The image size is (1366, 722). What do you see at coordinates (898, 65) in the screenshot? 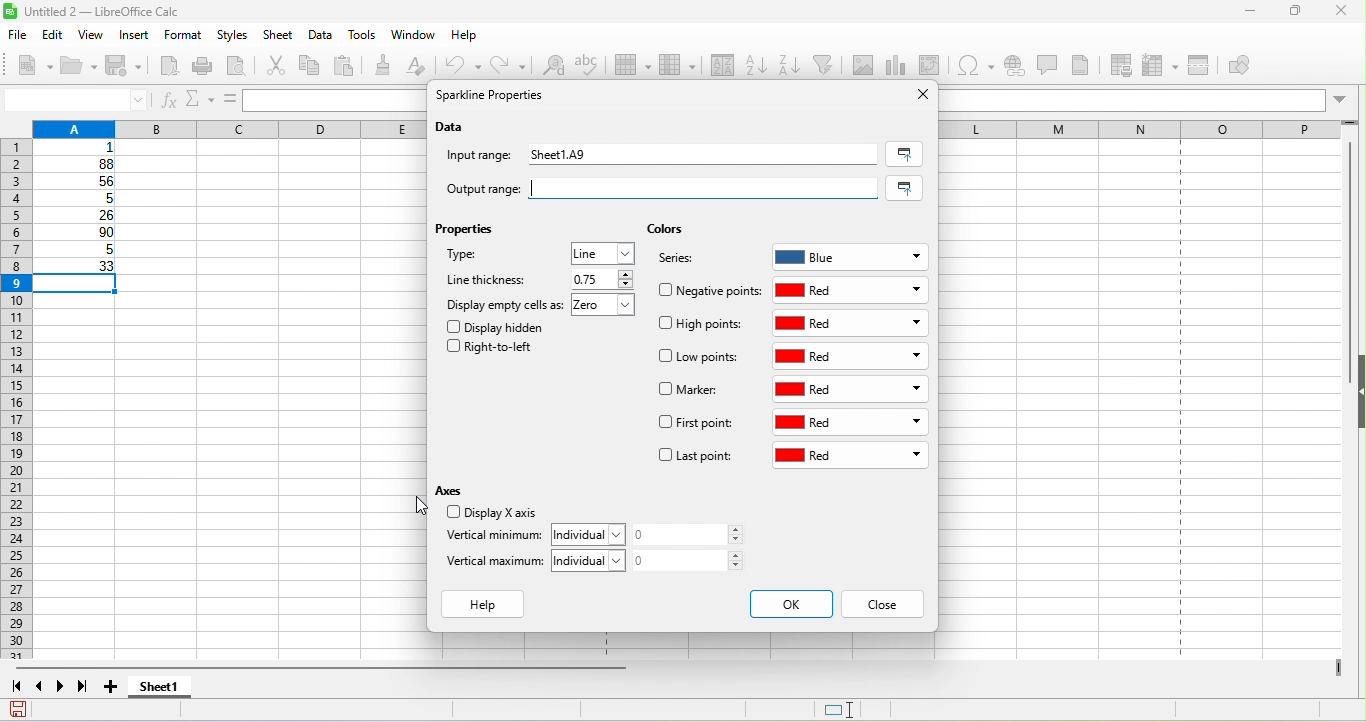
I see `chart` at bounding box center [898, 65].